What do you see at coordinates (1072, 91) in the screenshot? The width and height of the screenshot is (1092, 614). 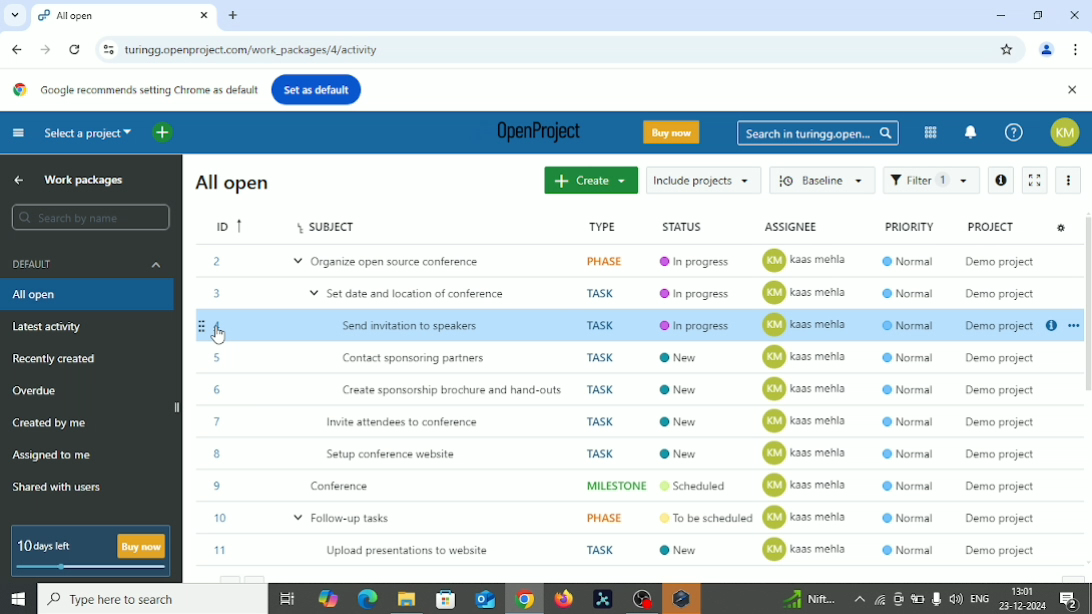 I see `Close` at bounding box center [1072, 91].